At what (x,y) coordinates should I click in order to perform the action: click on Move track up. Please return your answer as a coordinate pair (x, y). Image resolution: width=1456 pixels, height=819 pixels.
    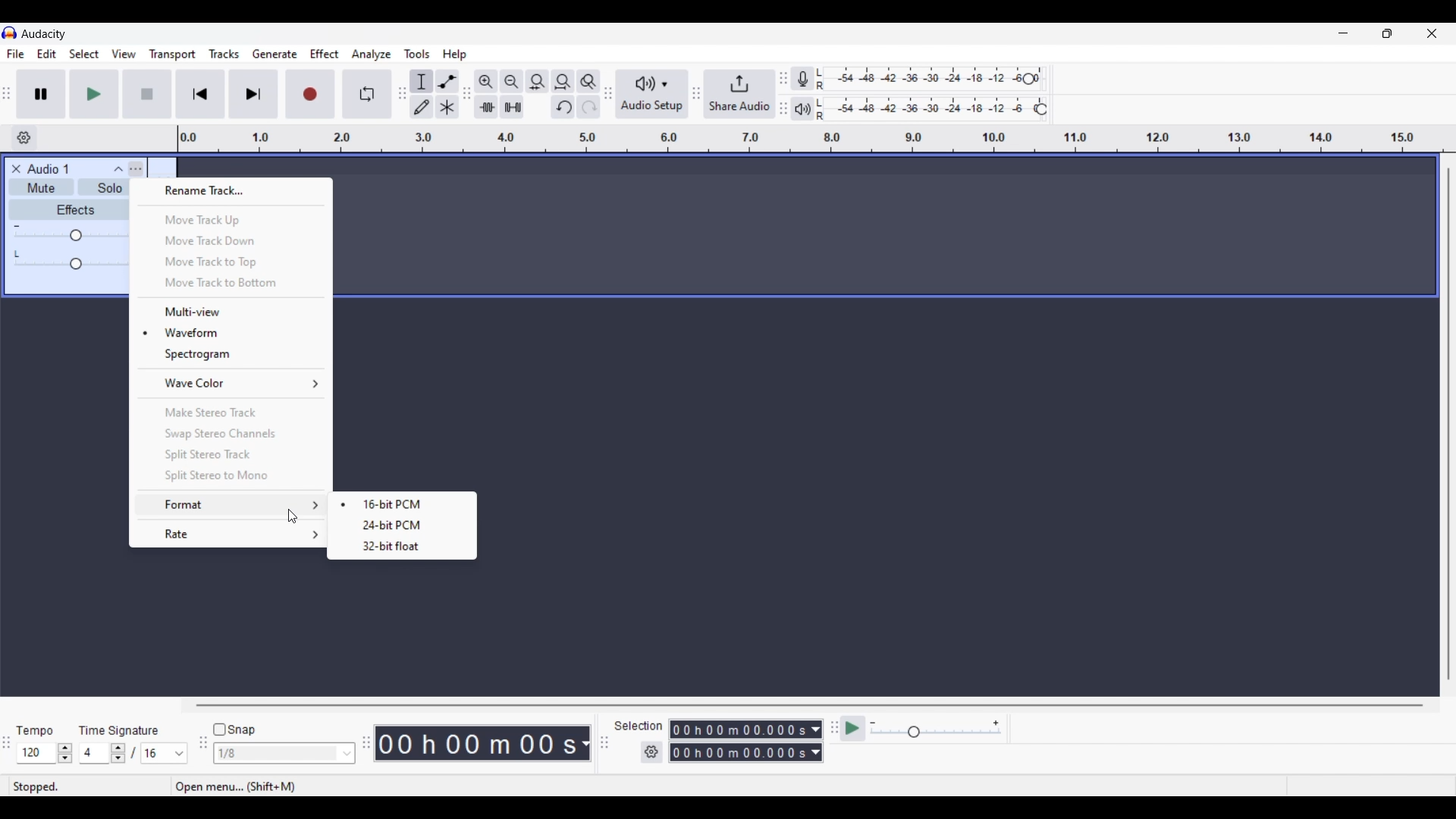
    Looking at the image, I should click on (232, 220).